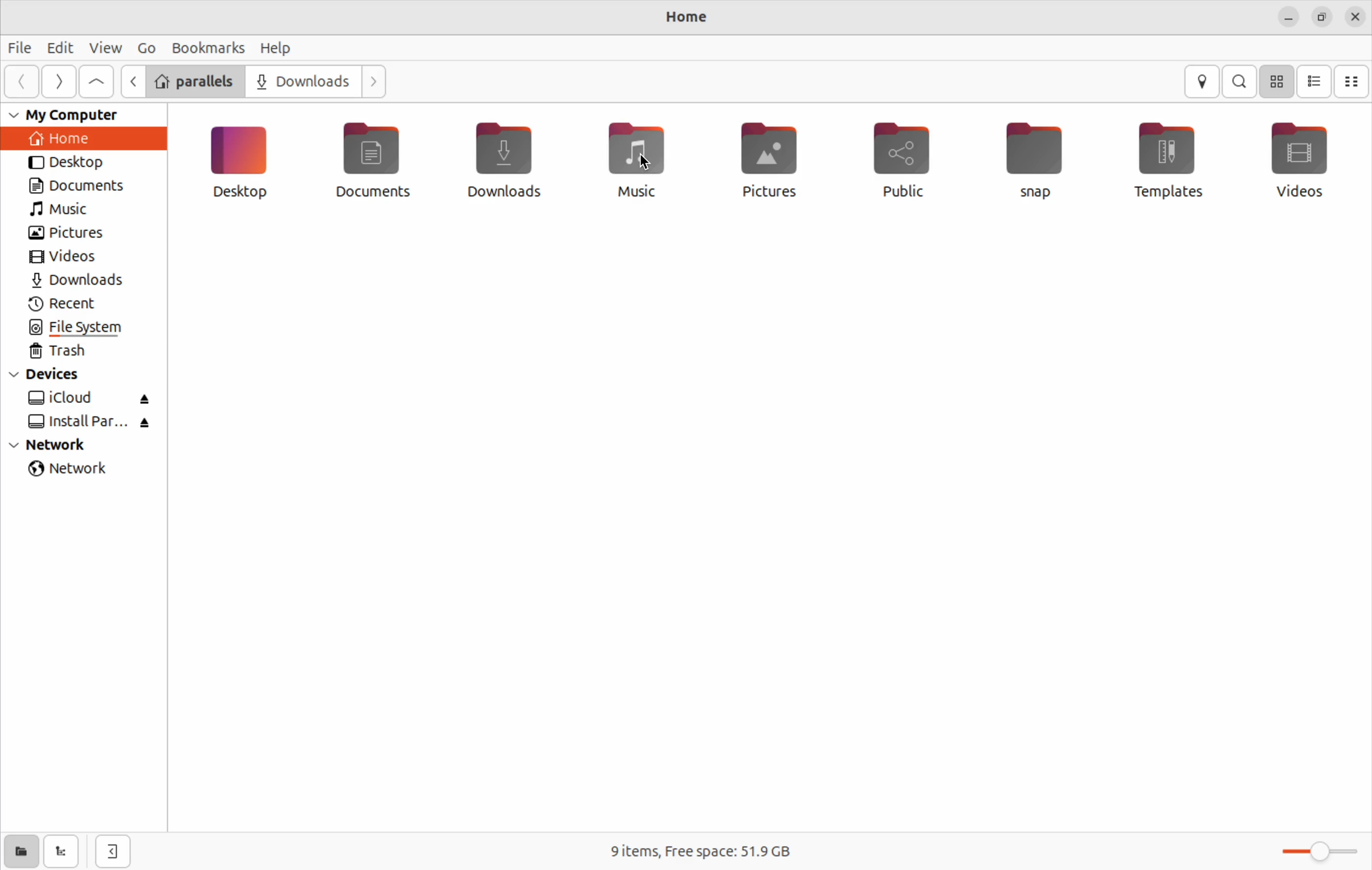 This screenshot has height=870, width=1372. I want to click on documents, so click(86, 186).